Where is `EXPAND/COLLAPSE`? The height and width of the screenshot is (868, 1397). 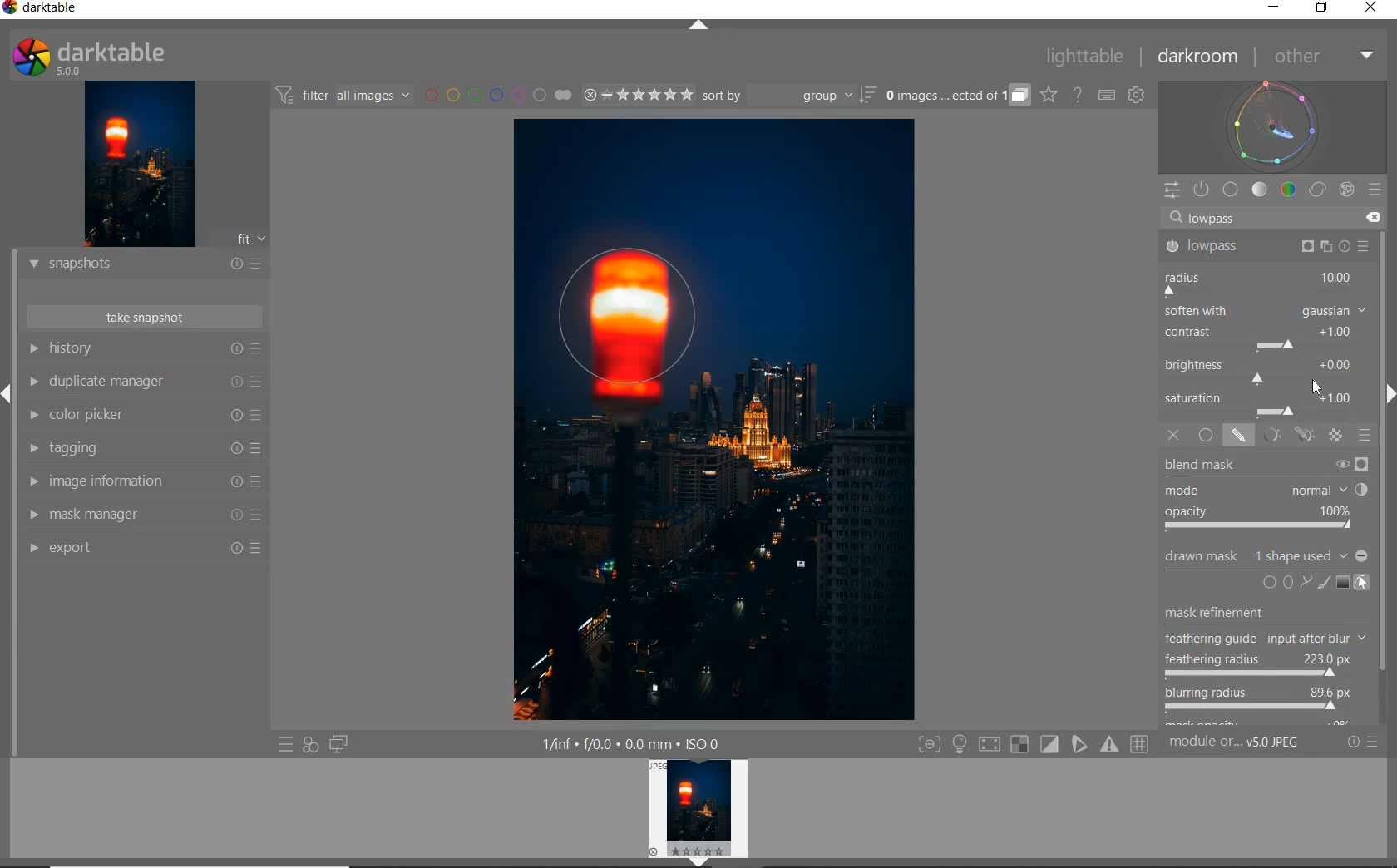 EXPAND/COLLAPSE is located at coordinates (699, 25).